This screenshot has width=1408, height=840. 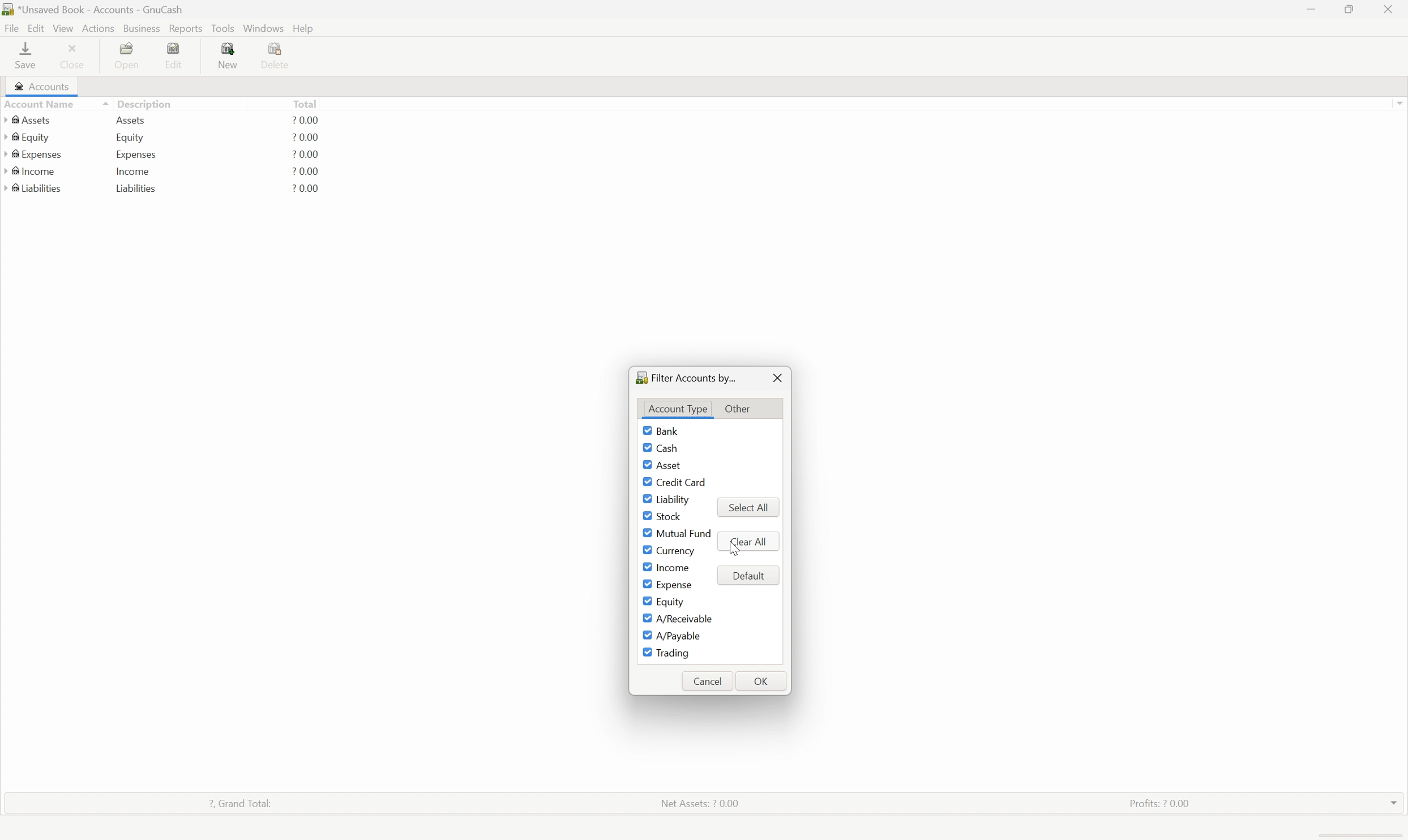 I want to click on Tools, so click(x=222, y=28).